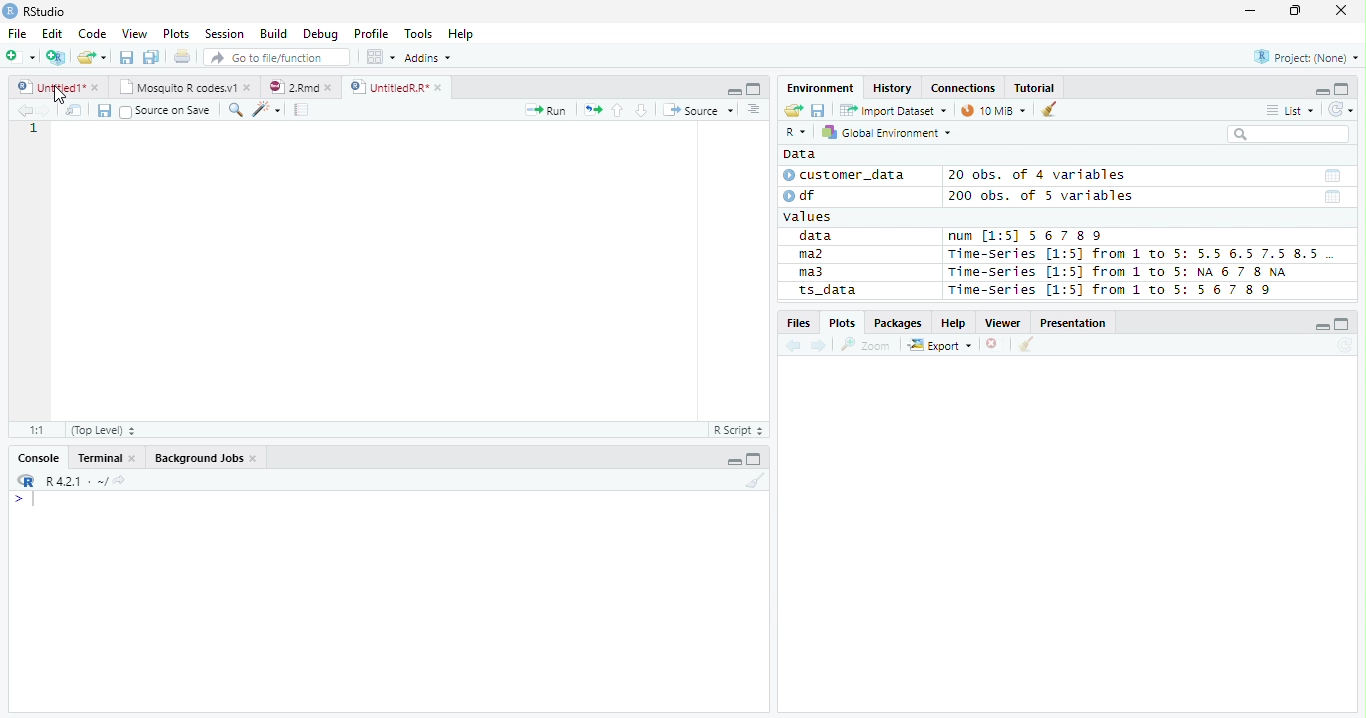 Image resolution: width=1366 pixels, height=718 pixels. What do you see at coordinates (302, 88) in the screenshot?
I see `2.Rmd` at bounding box center [302, 88].